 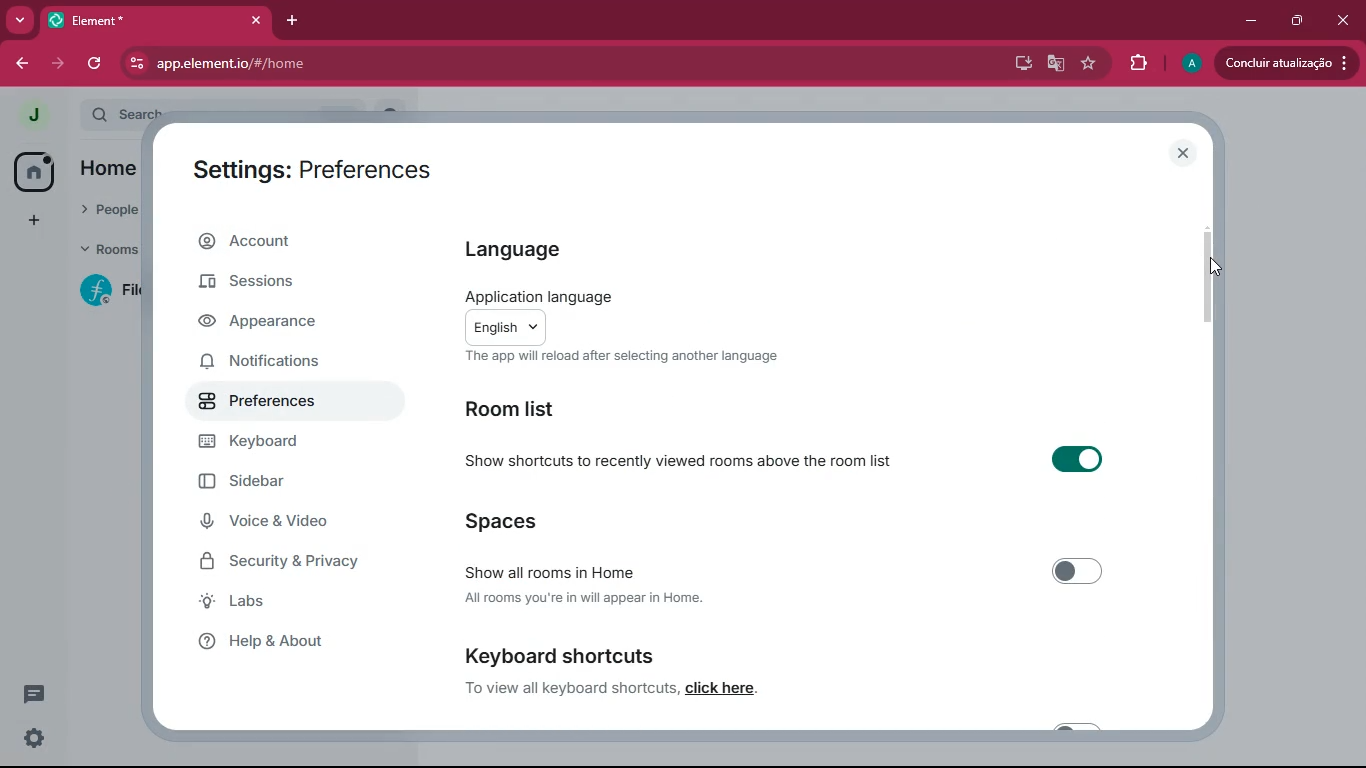 I want to click on help & about, so click(x=273, y=643).